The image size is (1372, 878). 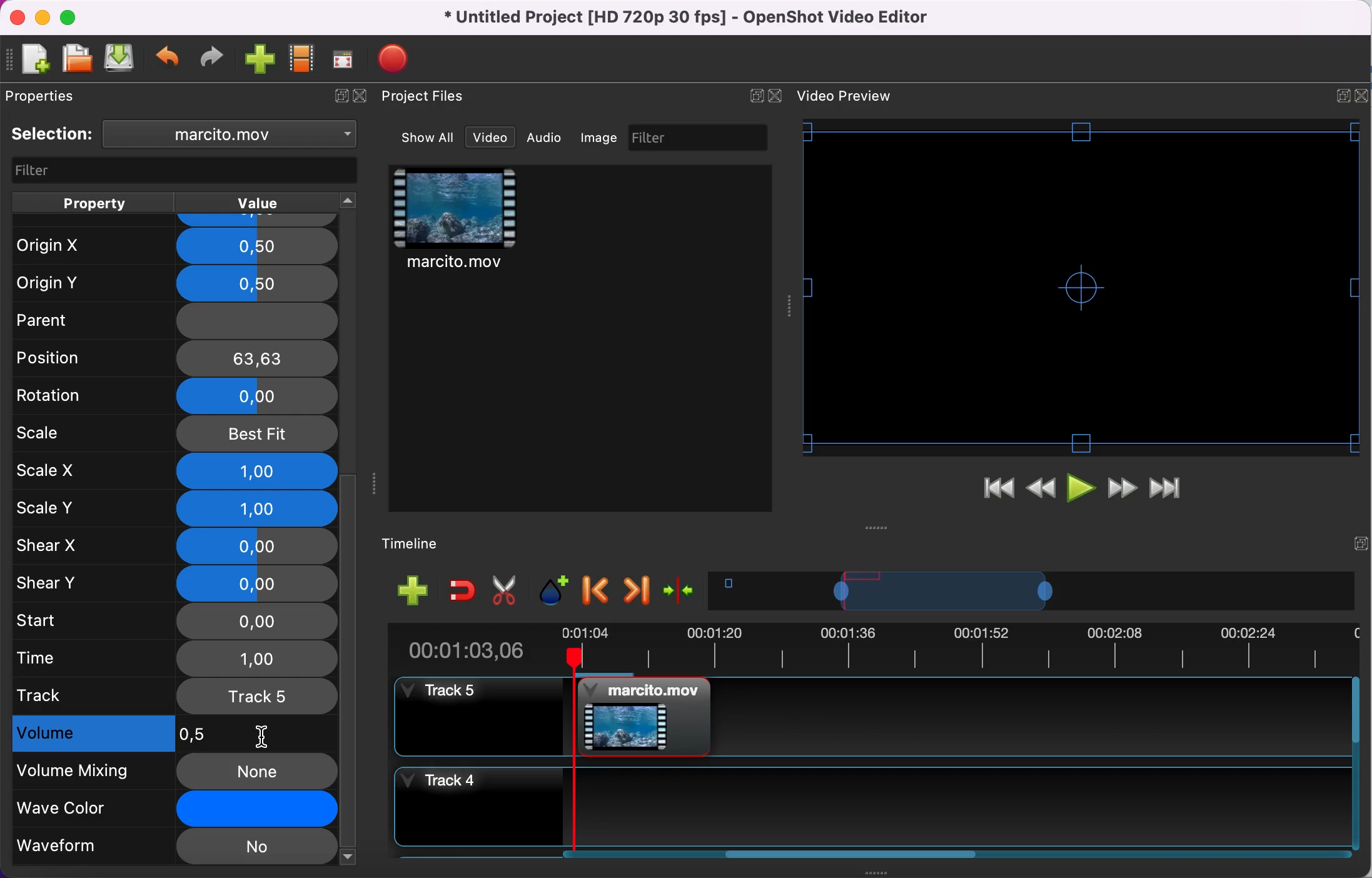 I want to click on selection, so click(x=53, y=134).